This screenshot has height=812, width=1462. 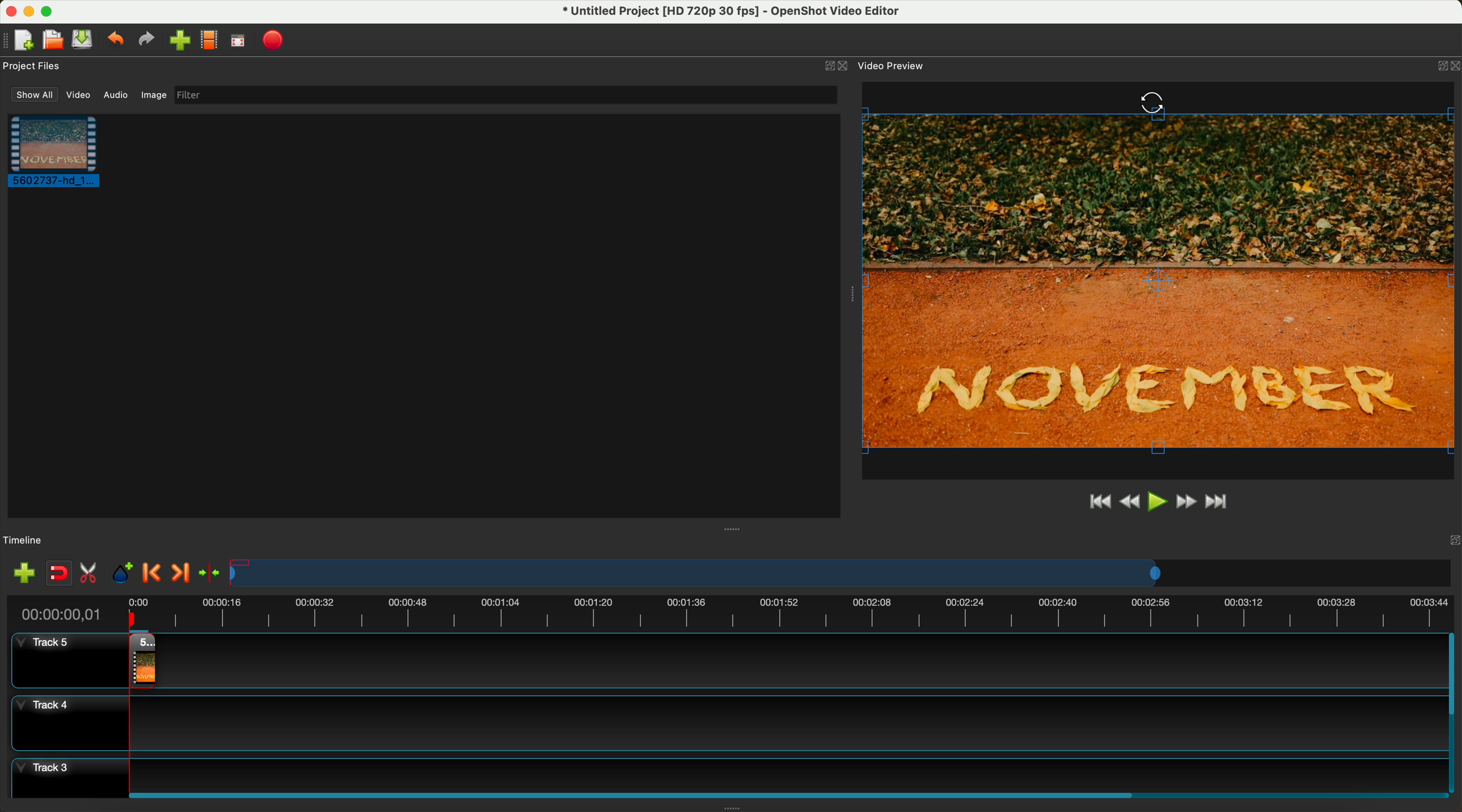 I want to click on video preview, so click(x=892, y=65).